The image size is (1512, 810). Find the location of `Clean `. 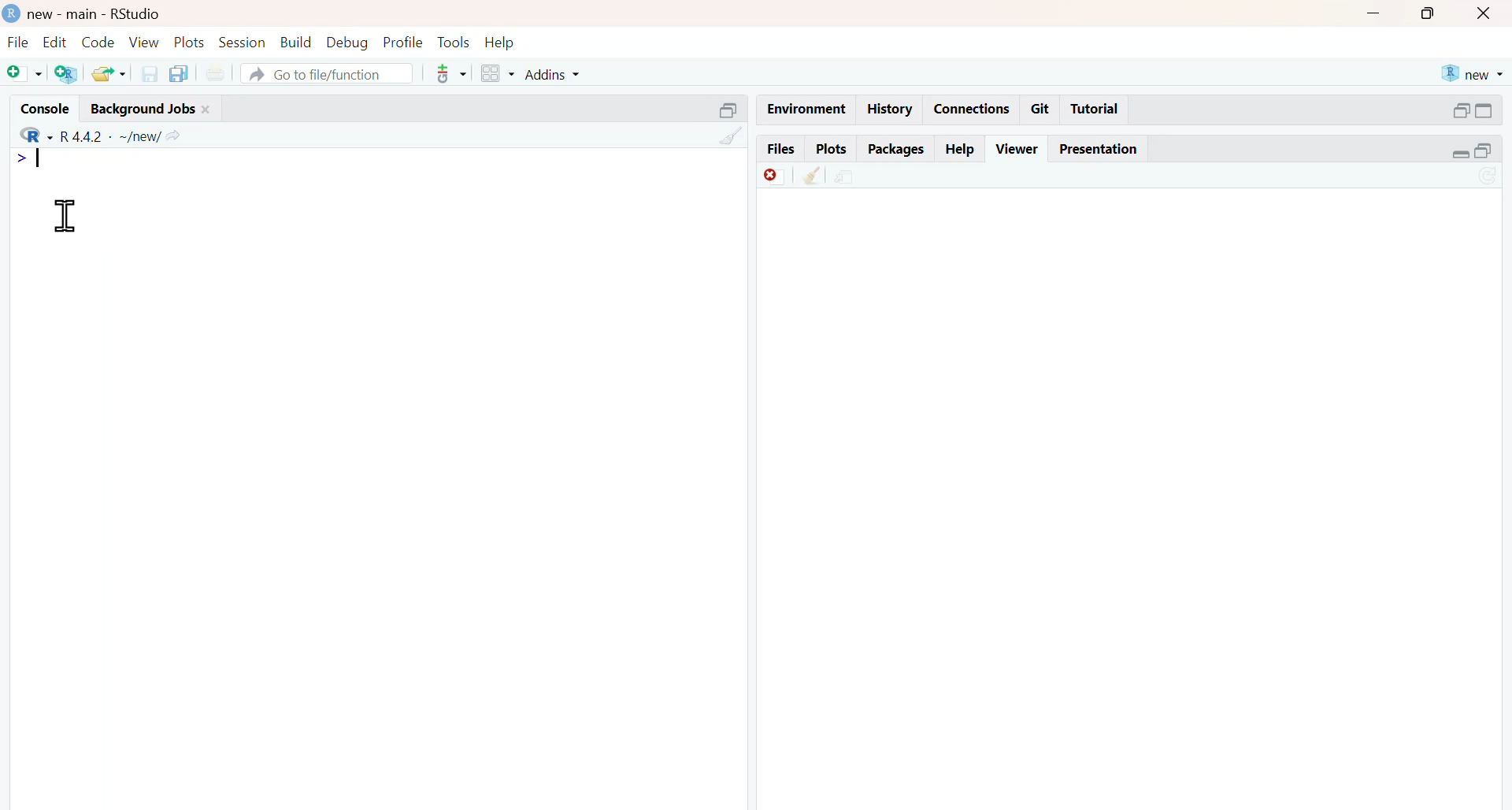

Clean  is located at coordinates (812, 175).